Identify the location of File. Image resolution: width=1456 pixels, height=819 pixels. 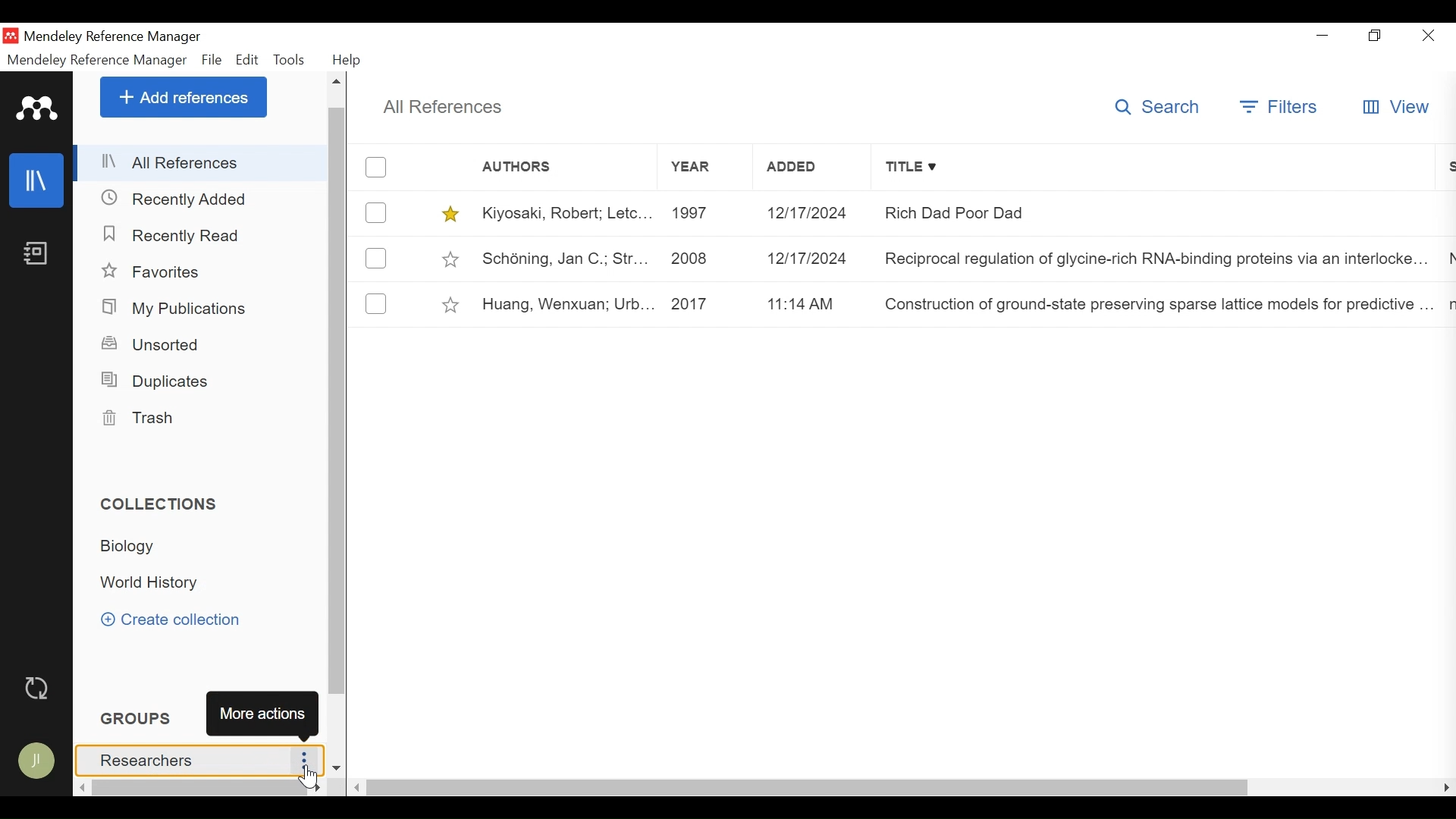
(212, 60).